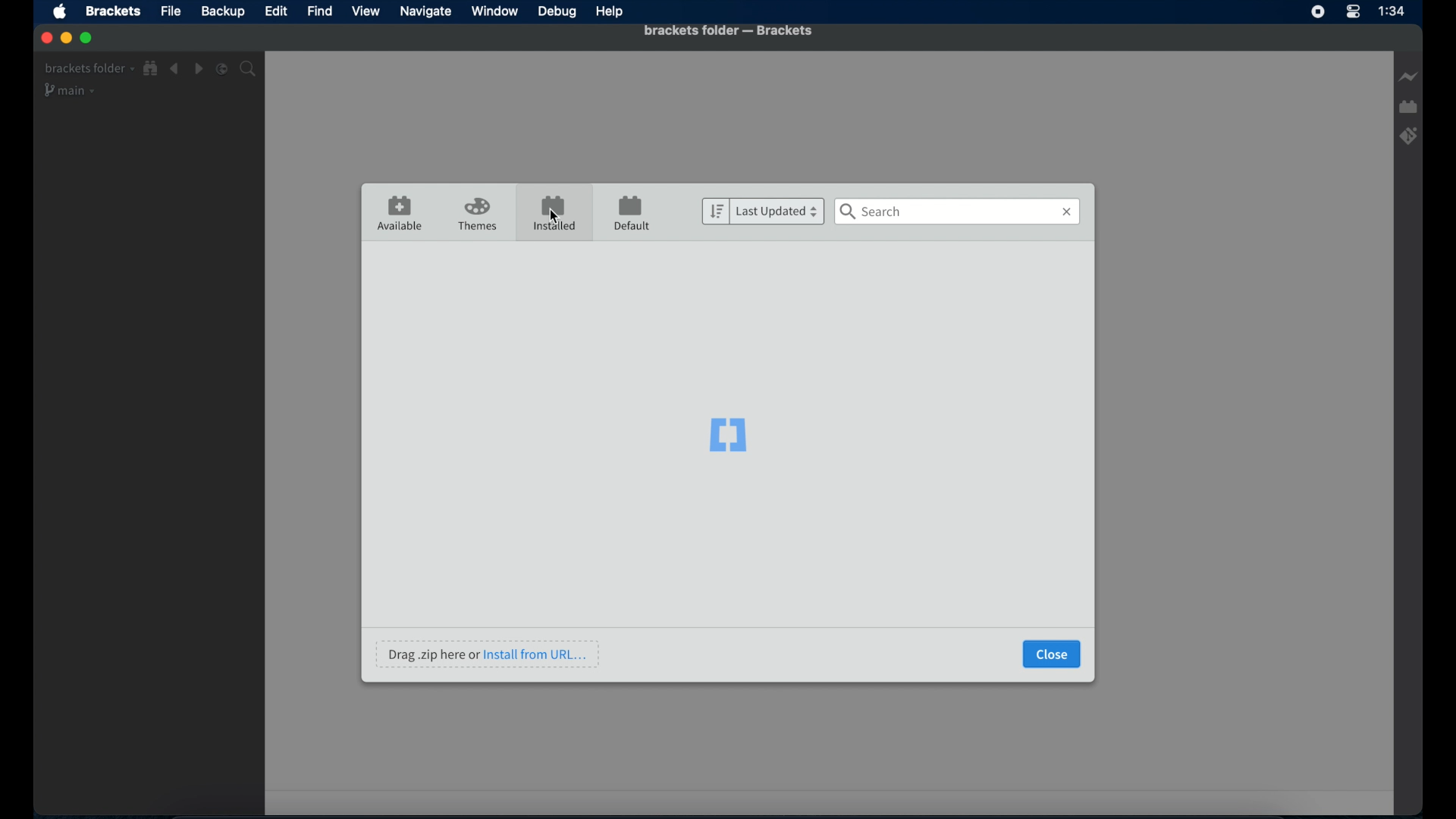 The height and width of the screenshot is (819, 1456). Describe the element at coordinates (198, 69) in the screenshot. I see `Navigate forward` at that location.